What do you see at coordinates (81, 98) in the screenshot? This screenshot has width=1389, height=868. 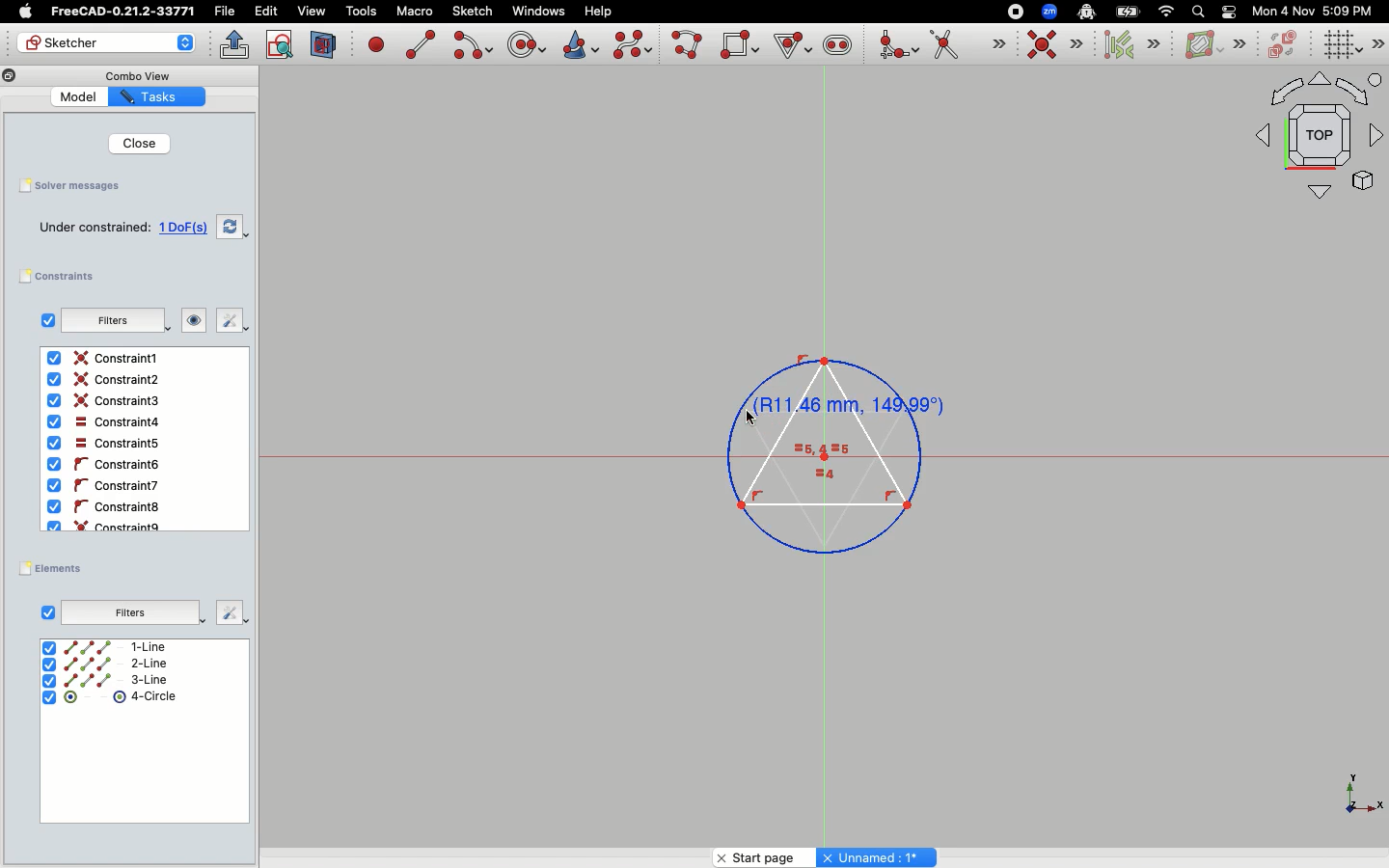 I see `Model` at bounding box center [81, 98].